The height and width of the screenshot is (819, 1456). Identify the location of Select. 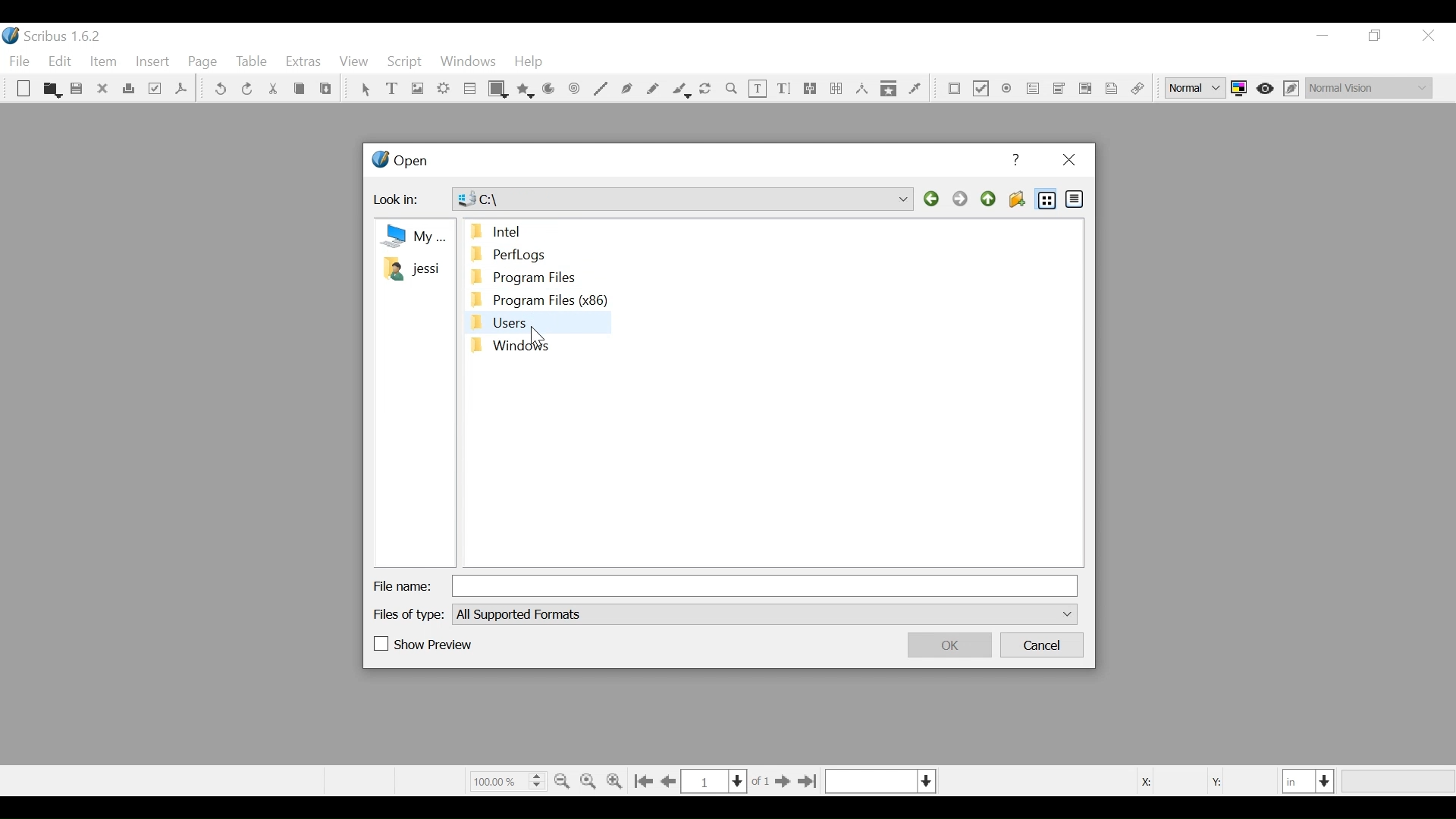
(365, 90).